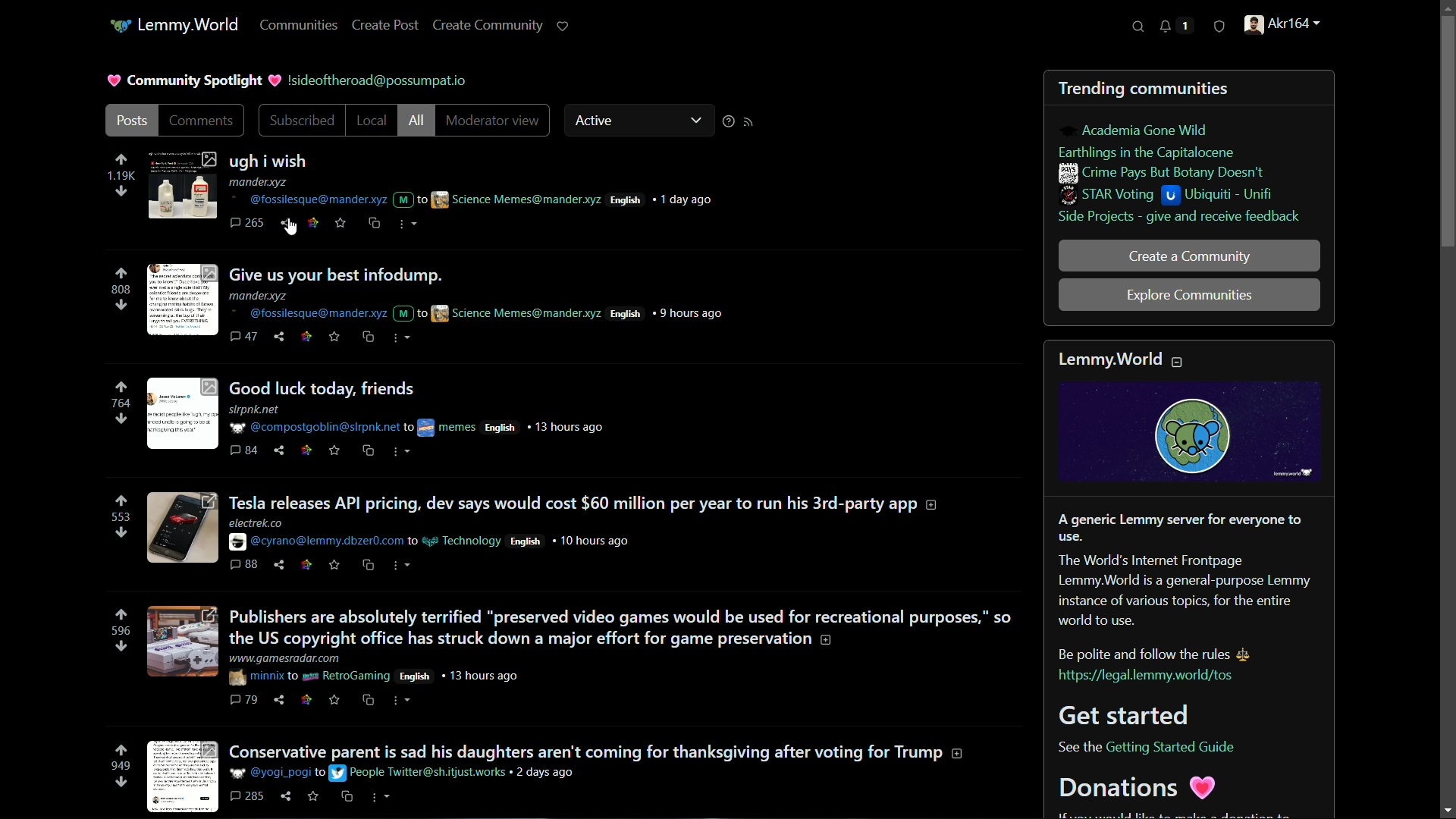 The height and width of the screenshot is (819, 1456). What do you see at coordinates (333, 566) in the screenshot?
I see `save` at bounding box center [333, 566].